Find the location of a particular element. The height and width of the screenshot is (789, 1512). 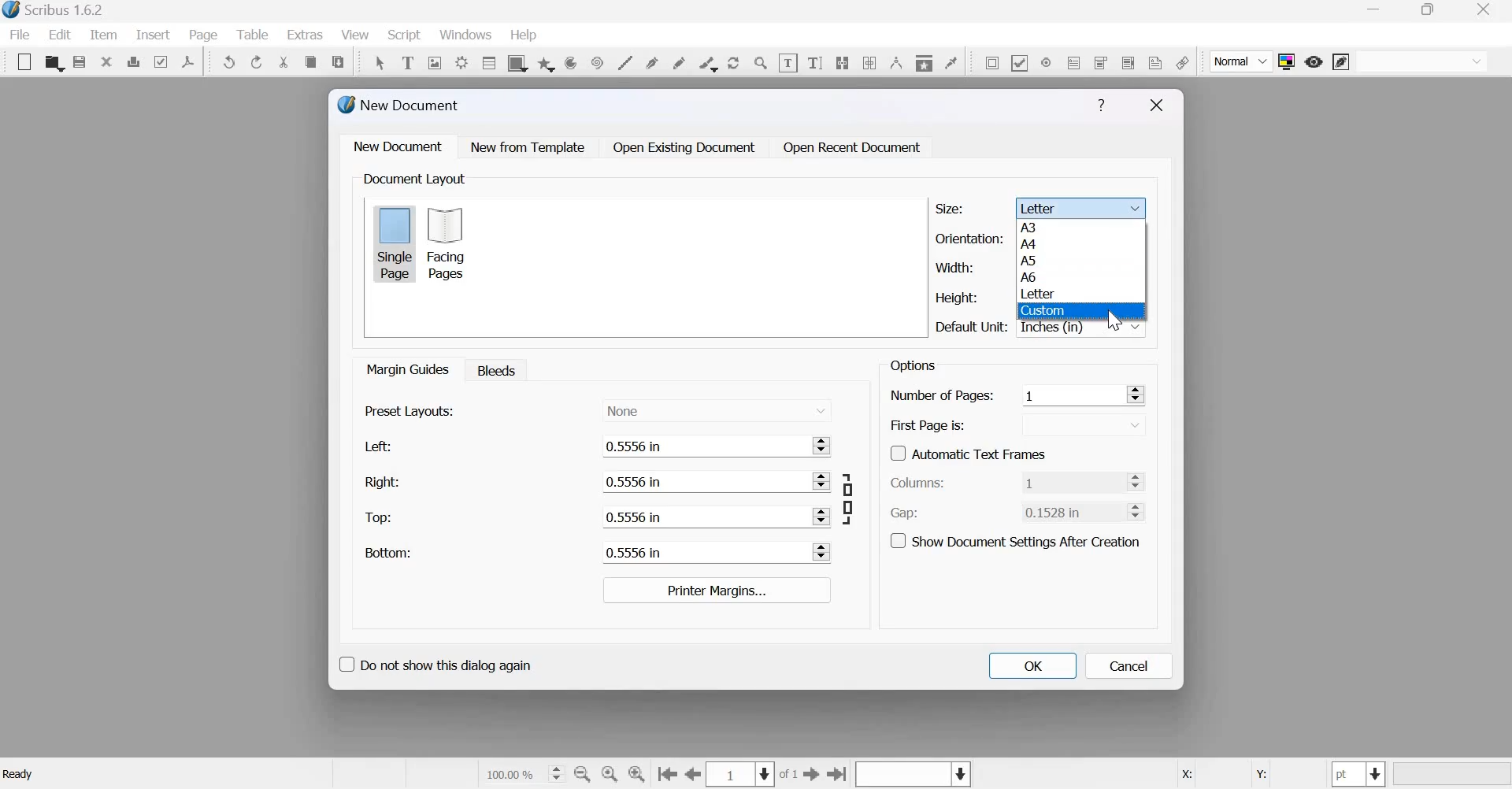

Top: is located at coordinates (380, 518).